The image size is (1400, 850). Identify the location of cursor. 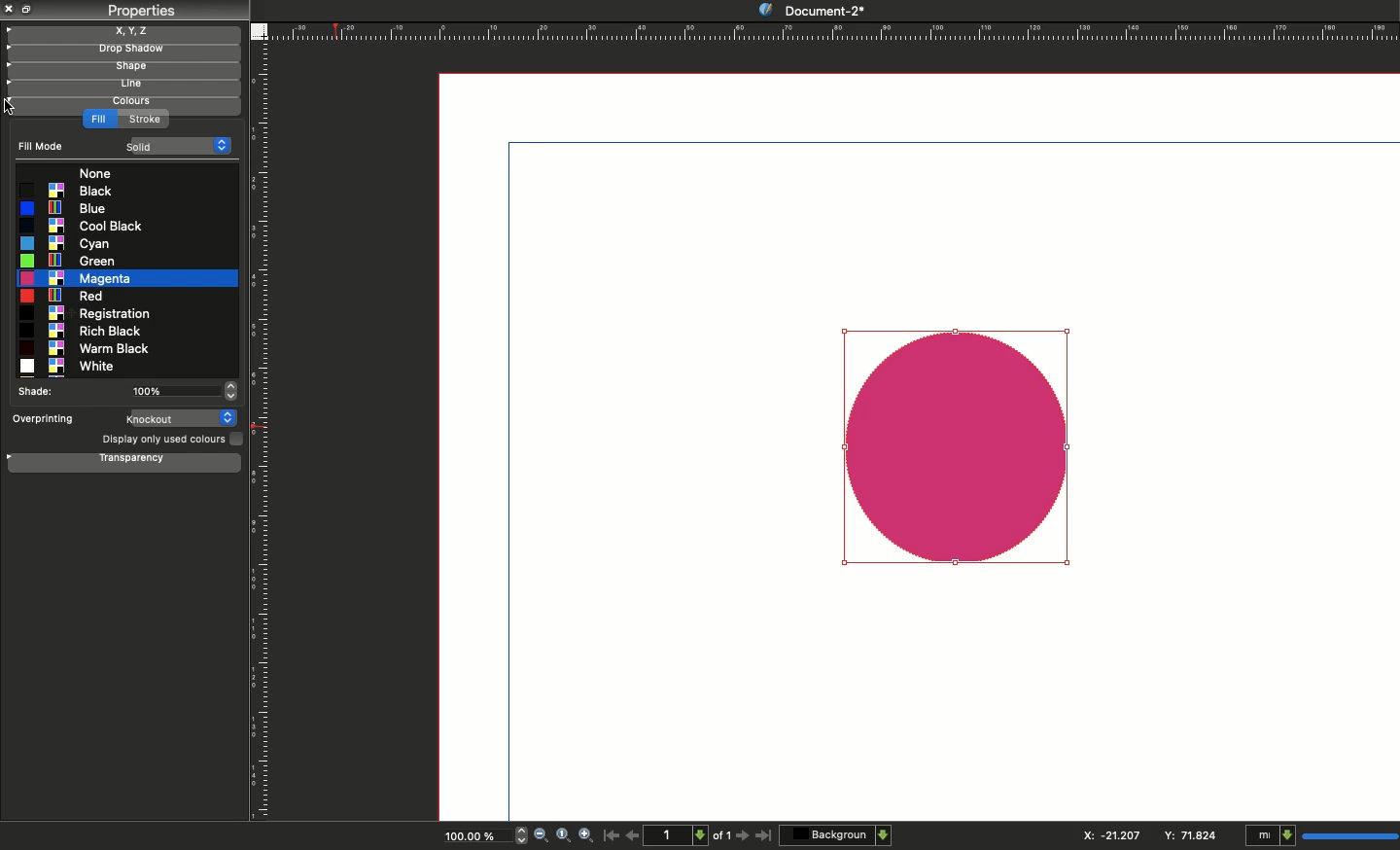
(9, 109).